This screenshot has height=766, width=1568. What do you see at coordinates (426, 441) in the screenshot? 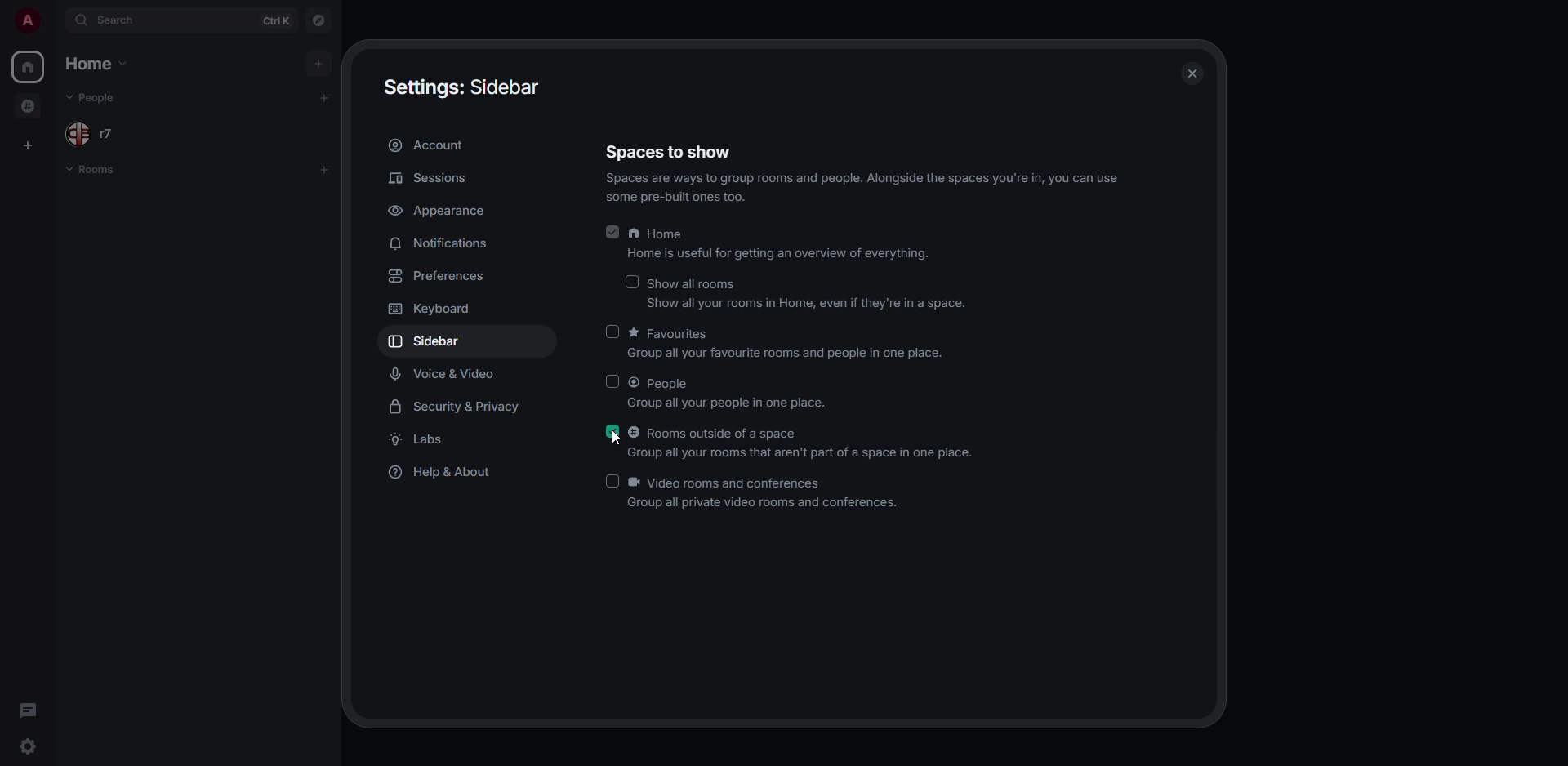
I see `labs` at bounding box center [426, 441].